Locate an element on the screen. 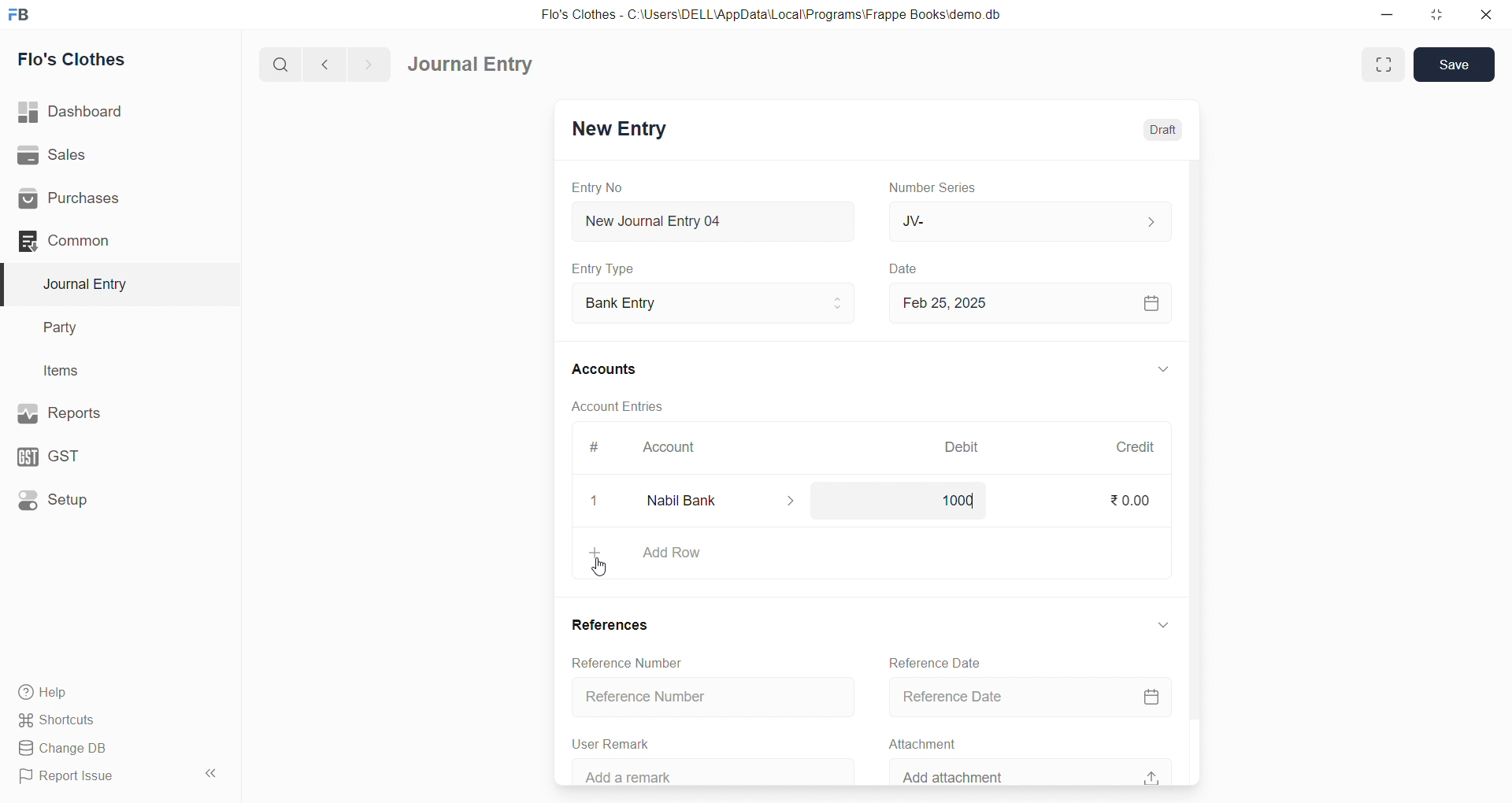 This screenshot has height=803, width=1512. User Remark is located at coordinates (606, 742).